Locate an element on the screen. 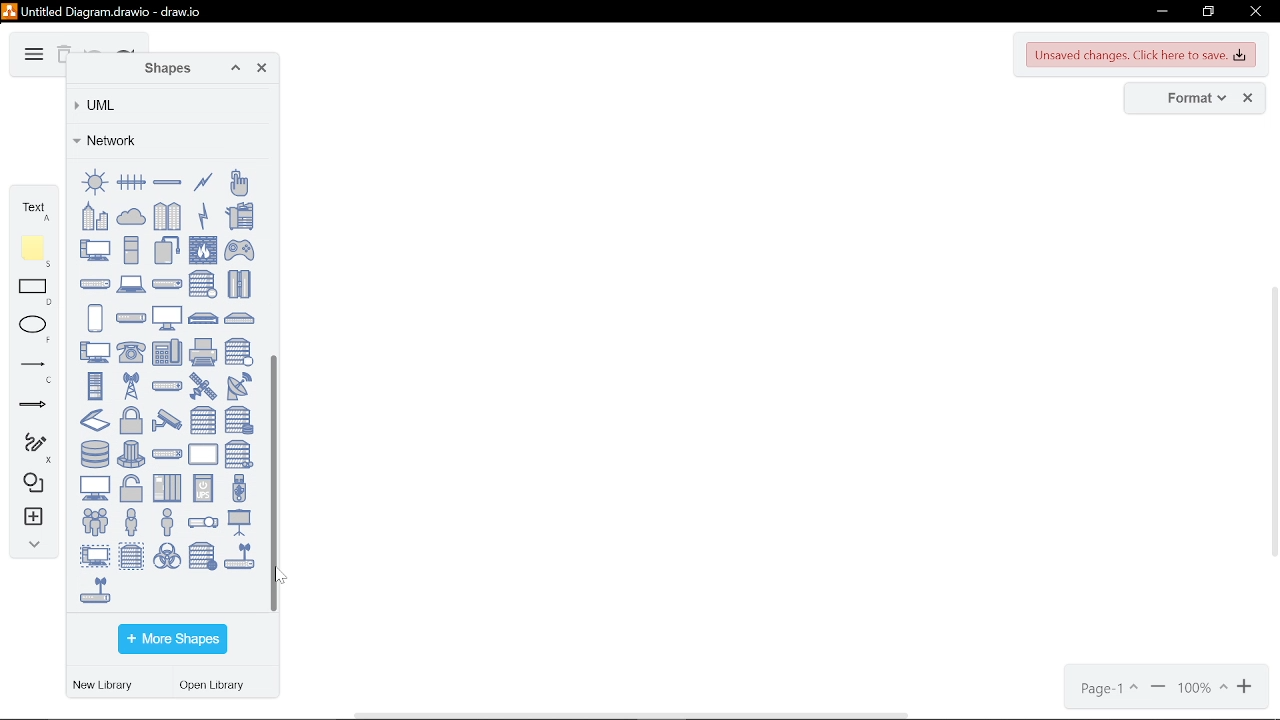 This screenshot has height=720, width=1280. biometric reader is located at coordinates (238, 182).